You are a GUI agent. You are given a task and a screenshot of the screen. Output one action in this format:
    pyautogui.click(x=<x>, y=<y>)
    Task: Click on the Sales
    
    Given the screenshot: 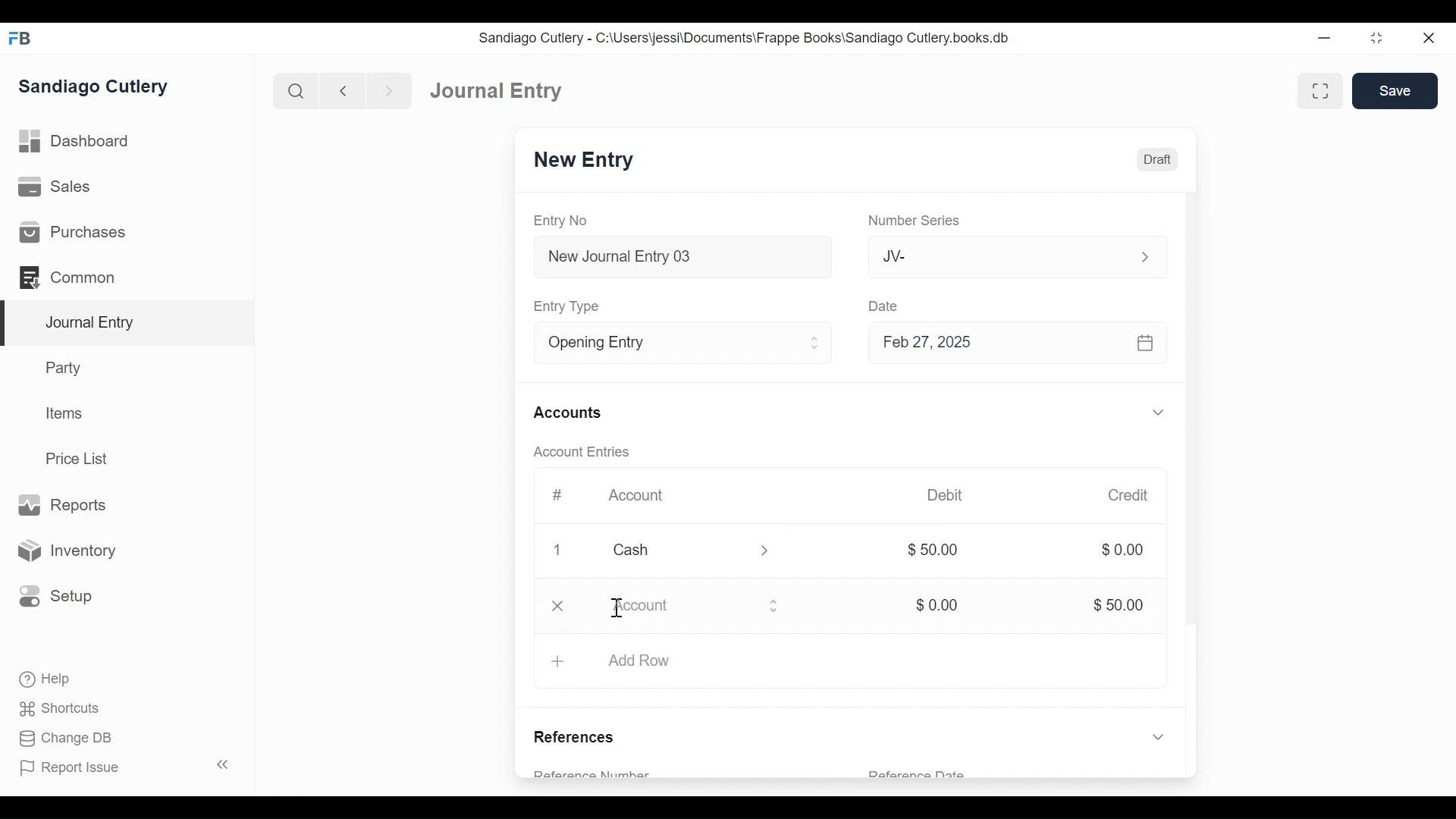 What is the action you would take?
    pyautogui.click(x=55, y=186)
    